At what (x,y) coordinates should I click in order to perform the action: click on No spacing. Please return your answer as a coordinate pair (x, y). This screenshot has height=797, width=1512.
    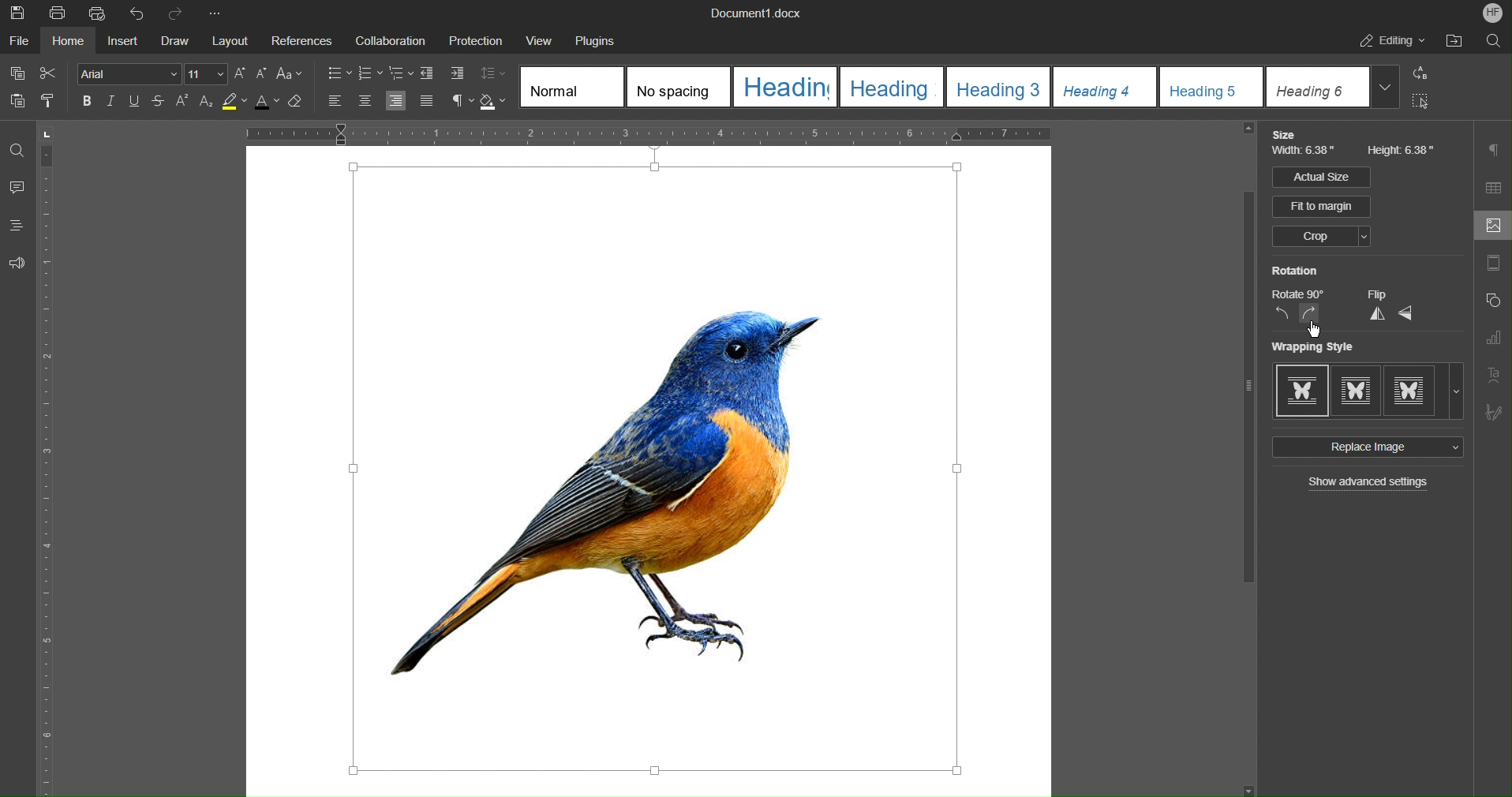
    Looking at the image, I should click on (676, 88).